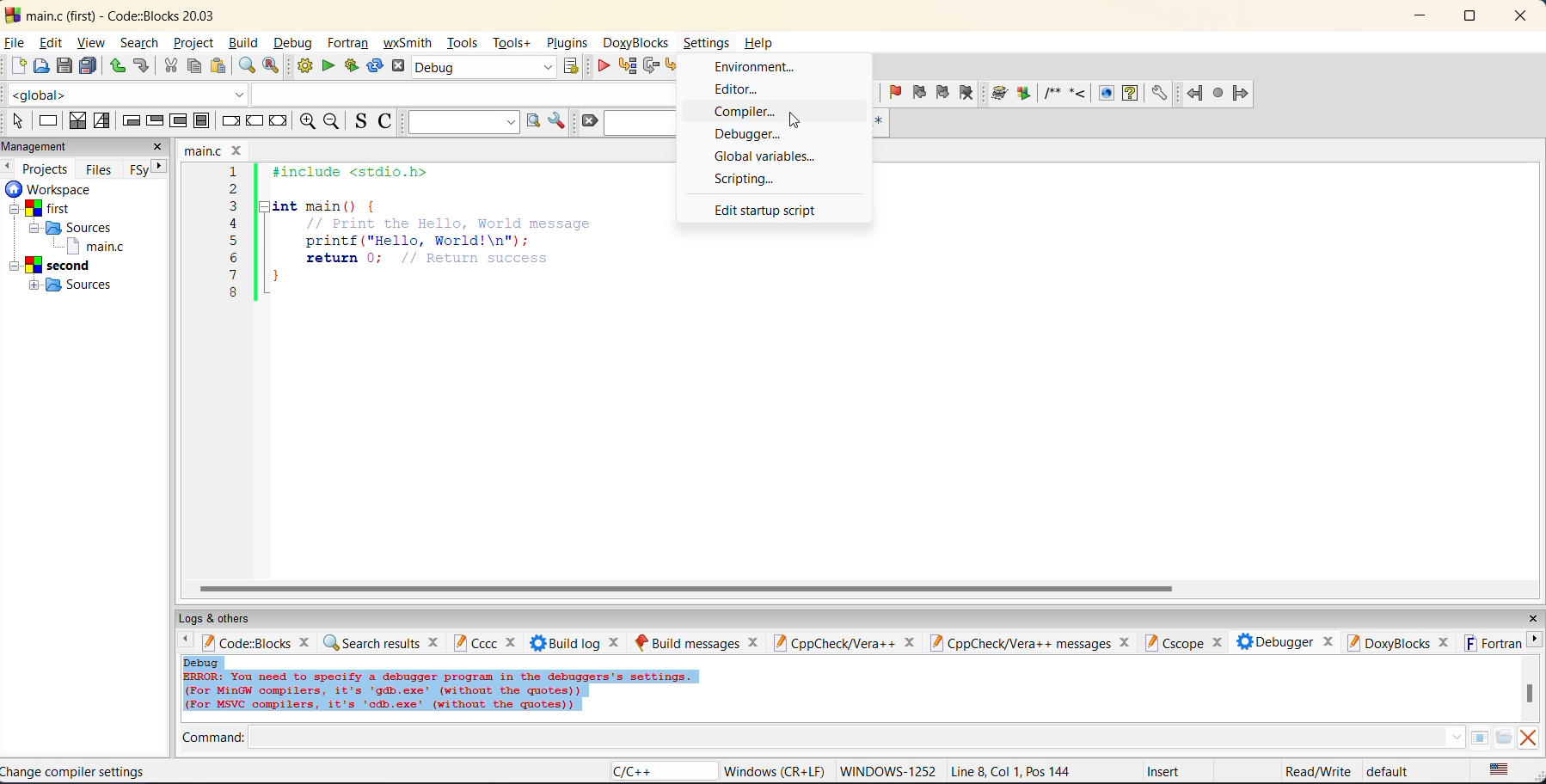  Describe the element at coordinates (1535, 639) in the screenshot. I see `next` at that location.